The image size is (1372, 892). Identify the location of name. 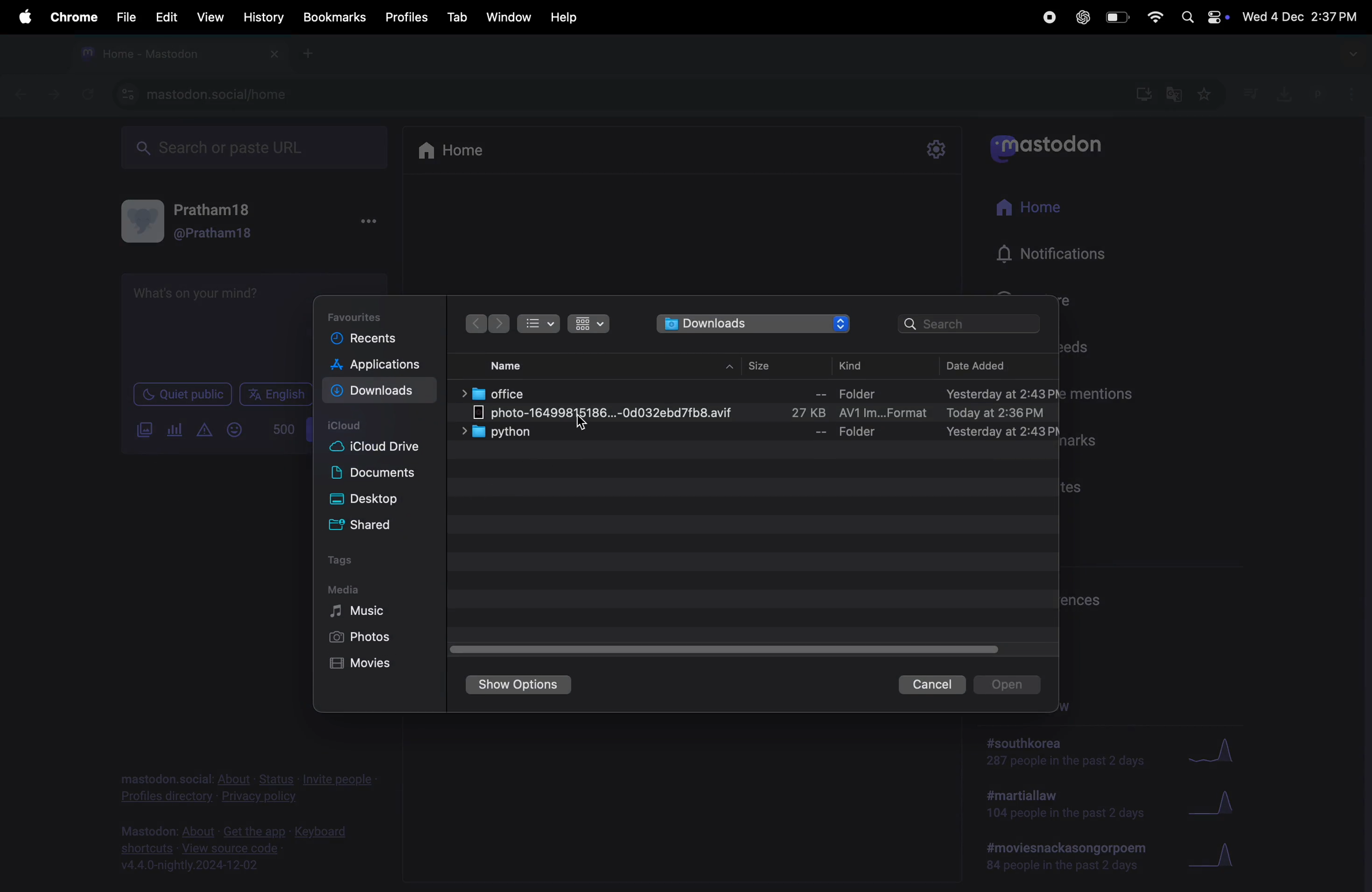
(507, 366).